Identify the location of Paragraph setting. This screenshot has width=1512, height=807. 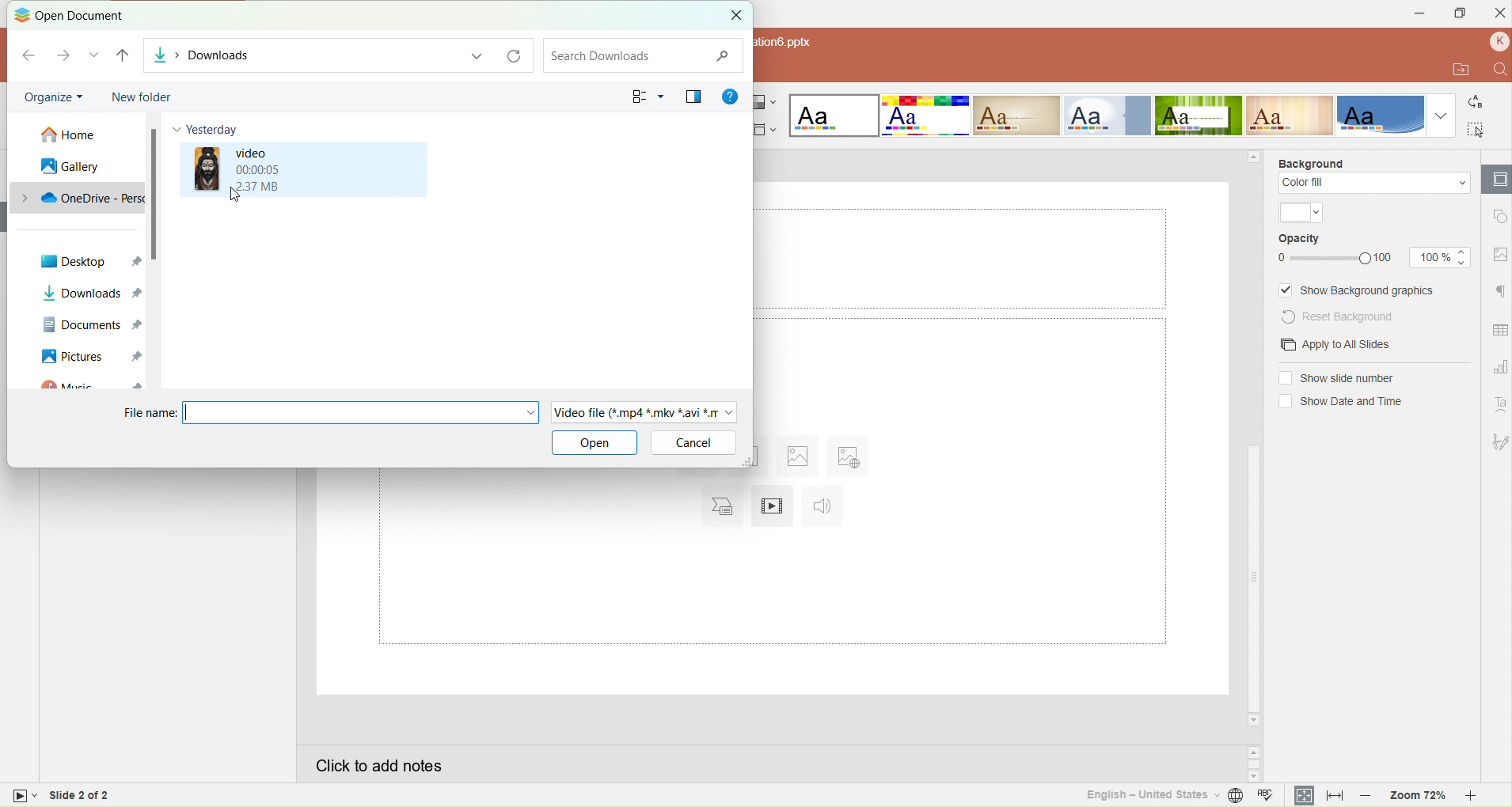
(1498, 292).